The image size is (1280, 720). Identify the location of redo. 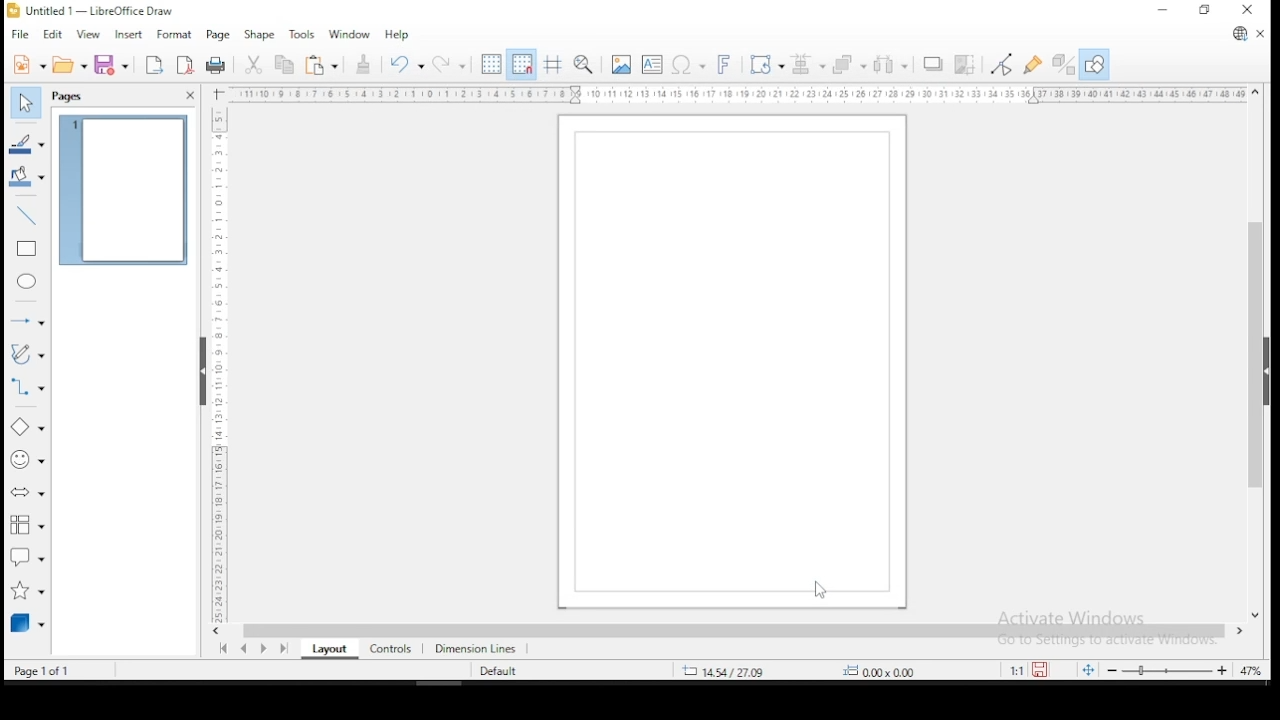
(449, 64).